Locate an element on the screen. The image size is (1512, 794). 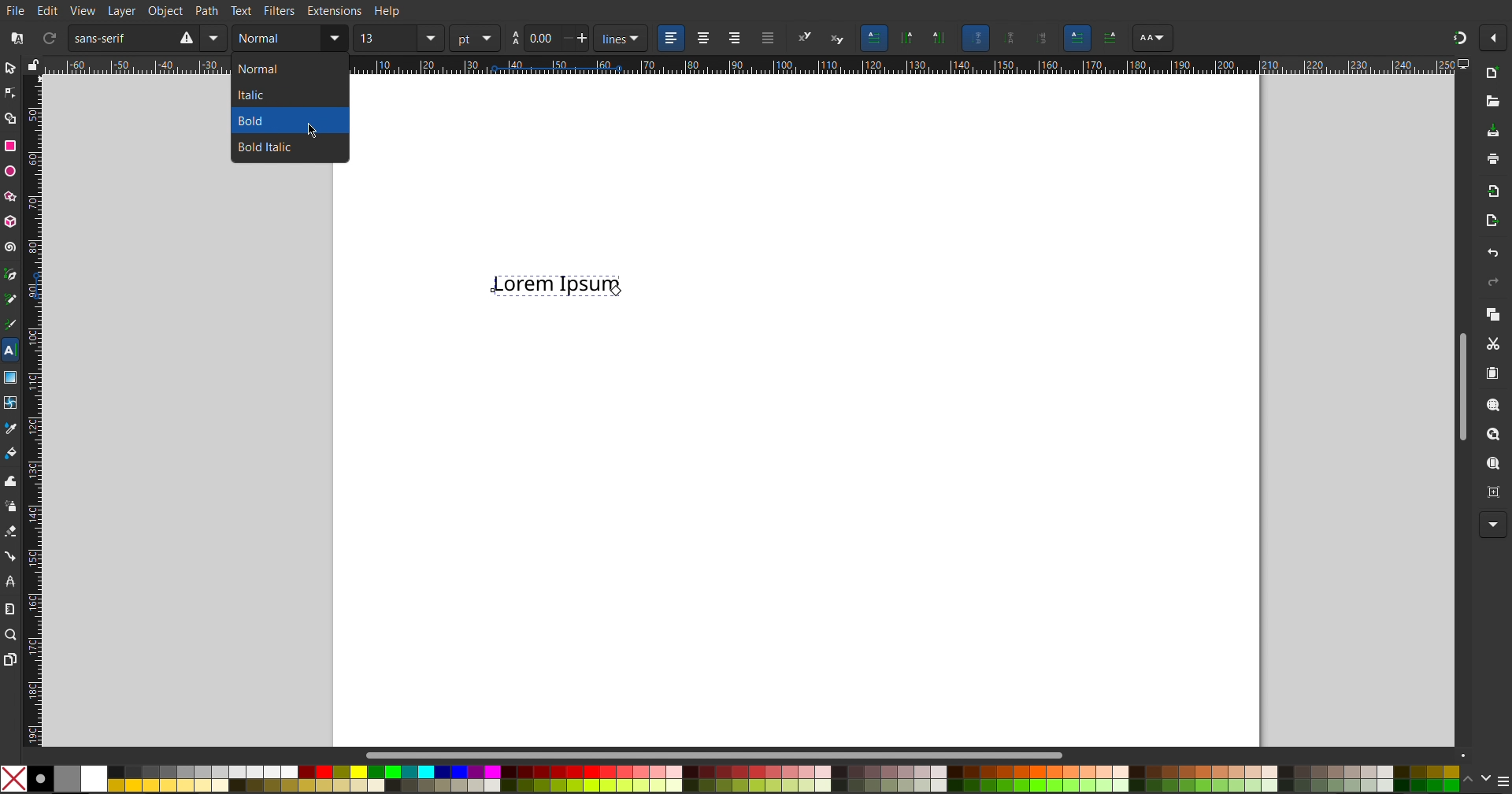
Text Tool is located at coordinates (9, 351).